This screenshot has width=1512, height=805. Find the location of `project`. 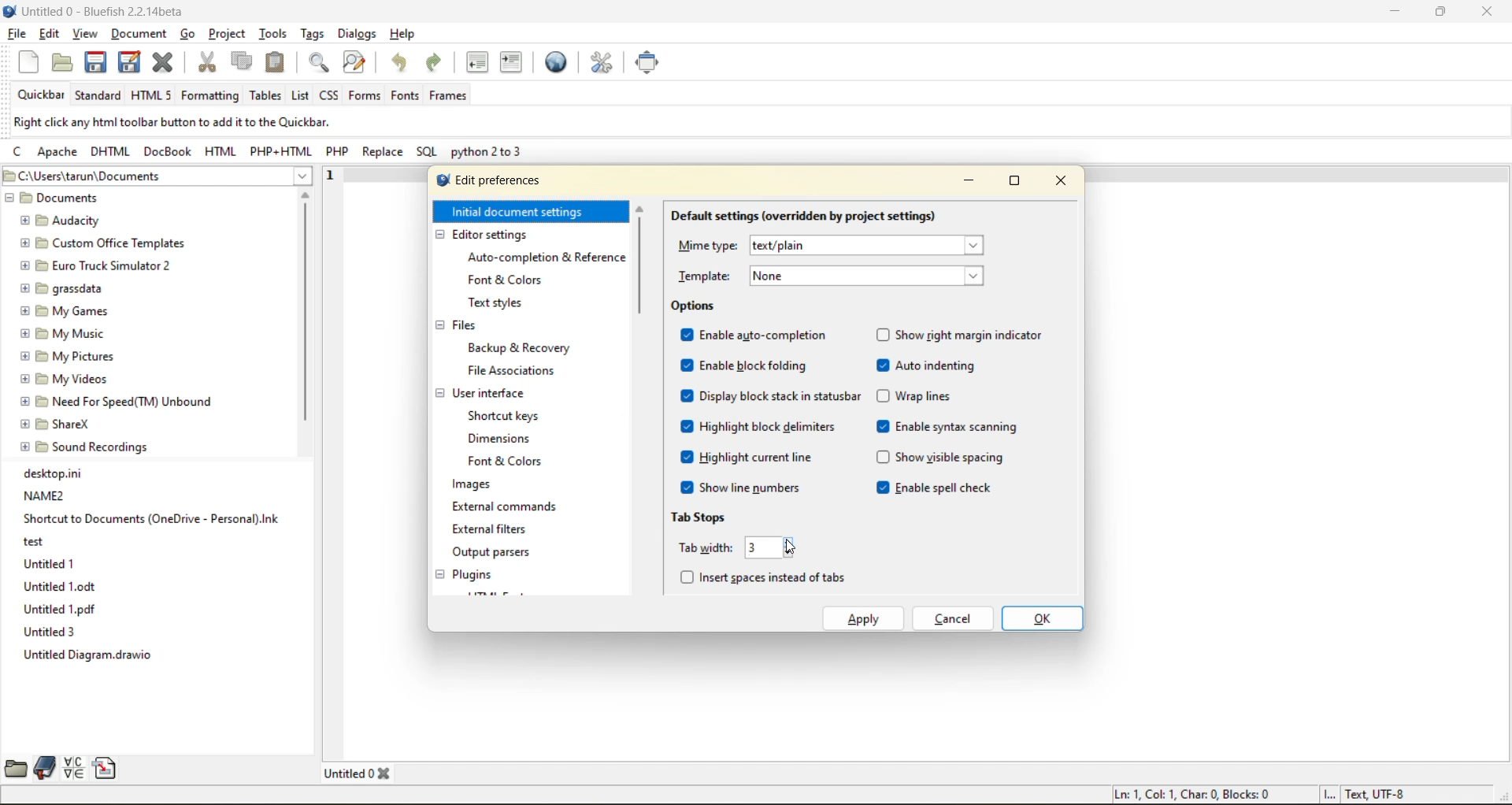

project is located at coordinates (228, 33).